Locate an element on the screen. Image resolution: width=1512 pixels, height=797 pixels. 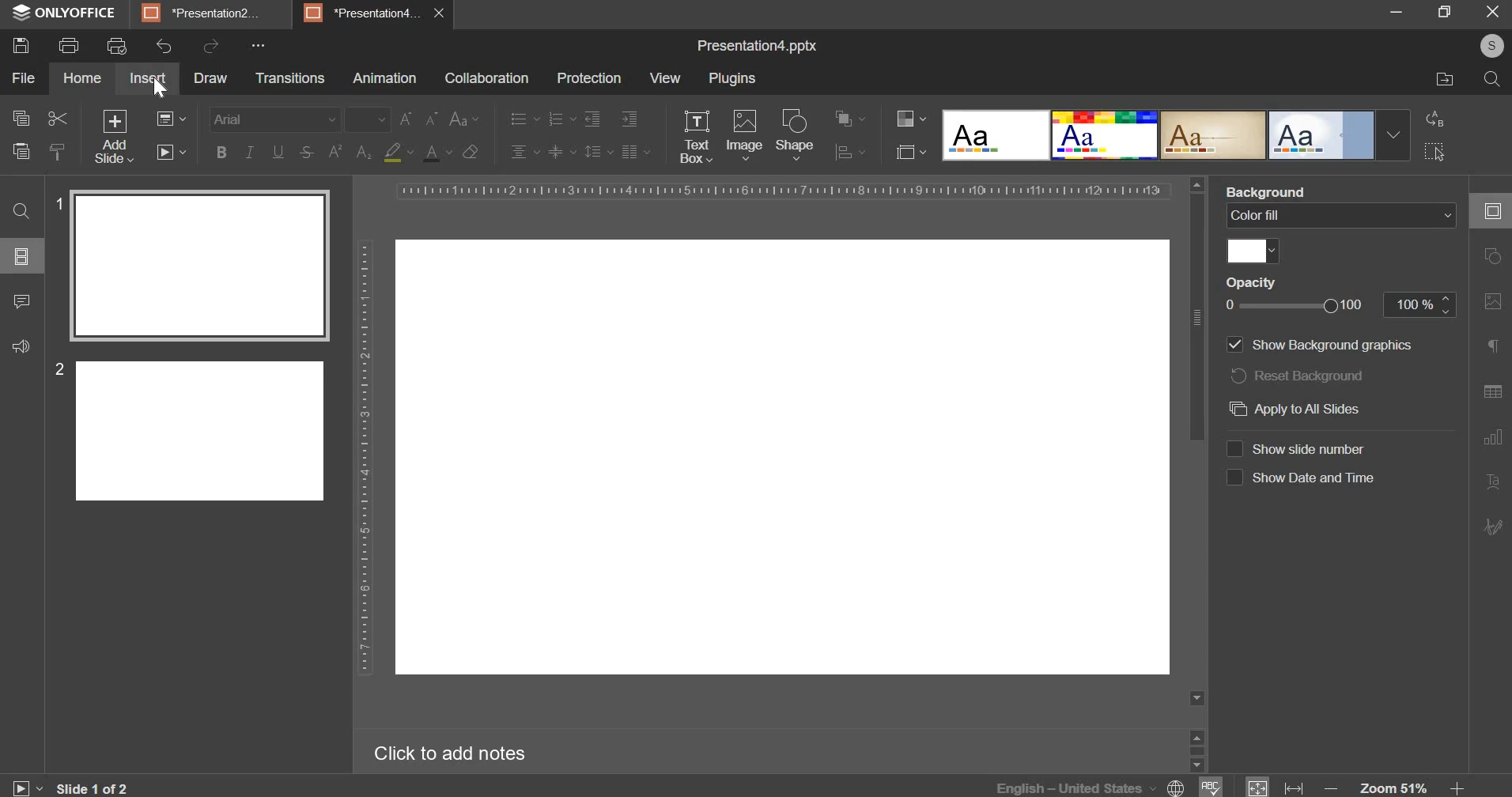
show background graphics is located at coordinates (1227, 343).